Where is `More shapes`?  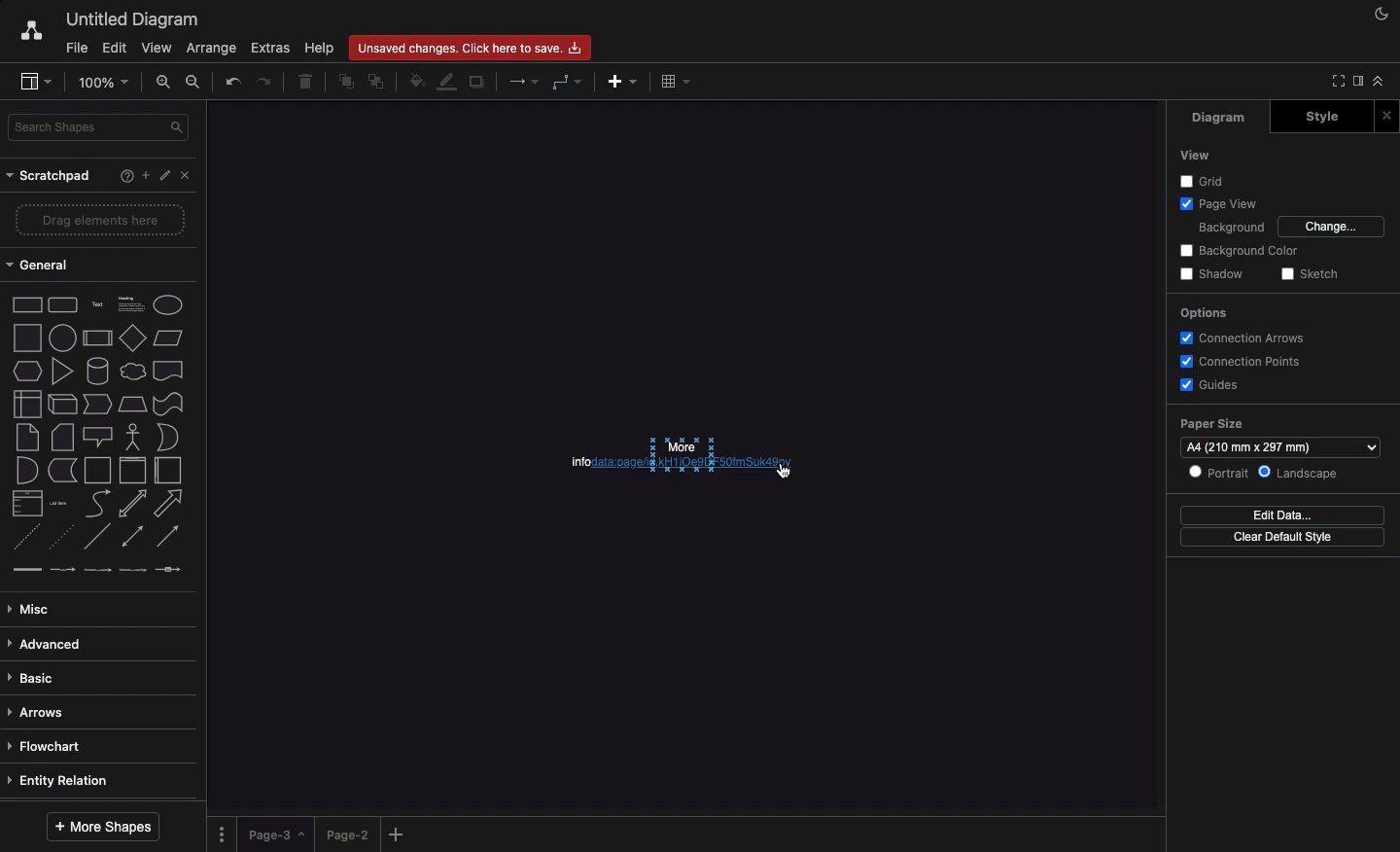 More shapes is located at coordinates (106, 826).